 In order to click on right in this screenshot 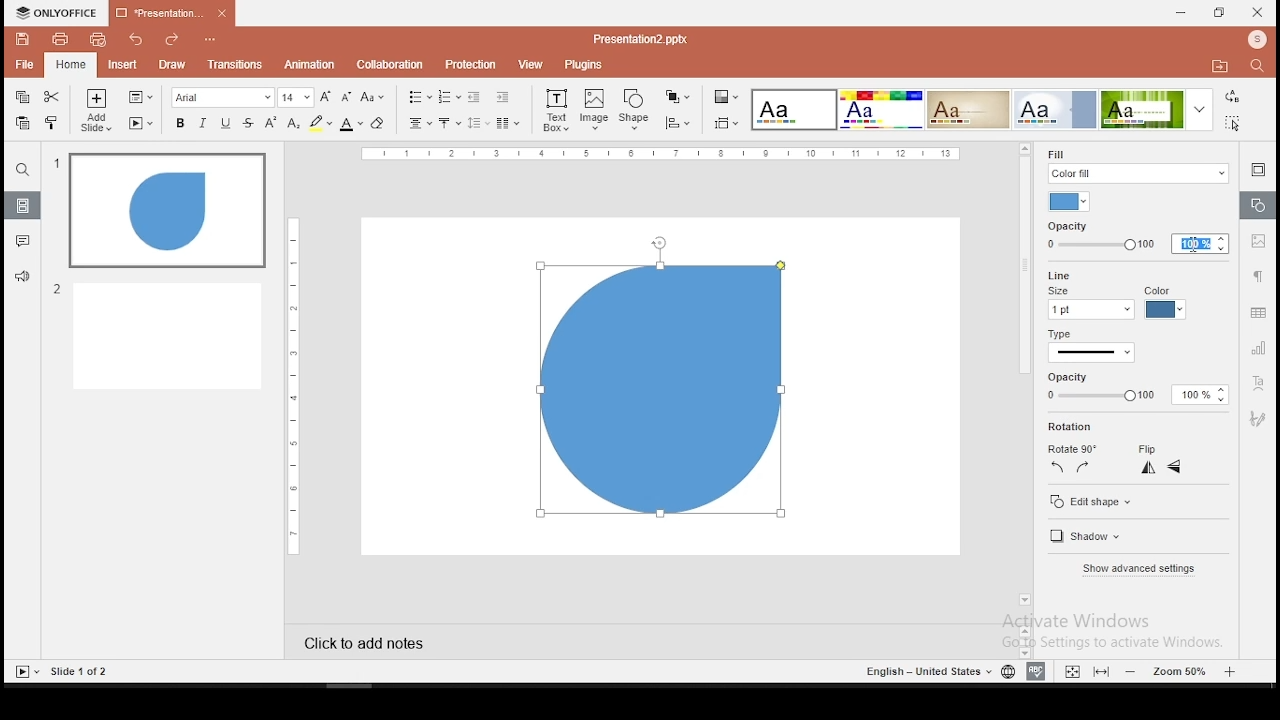, I will do `click(1082, 467)`.